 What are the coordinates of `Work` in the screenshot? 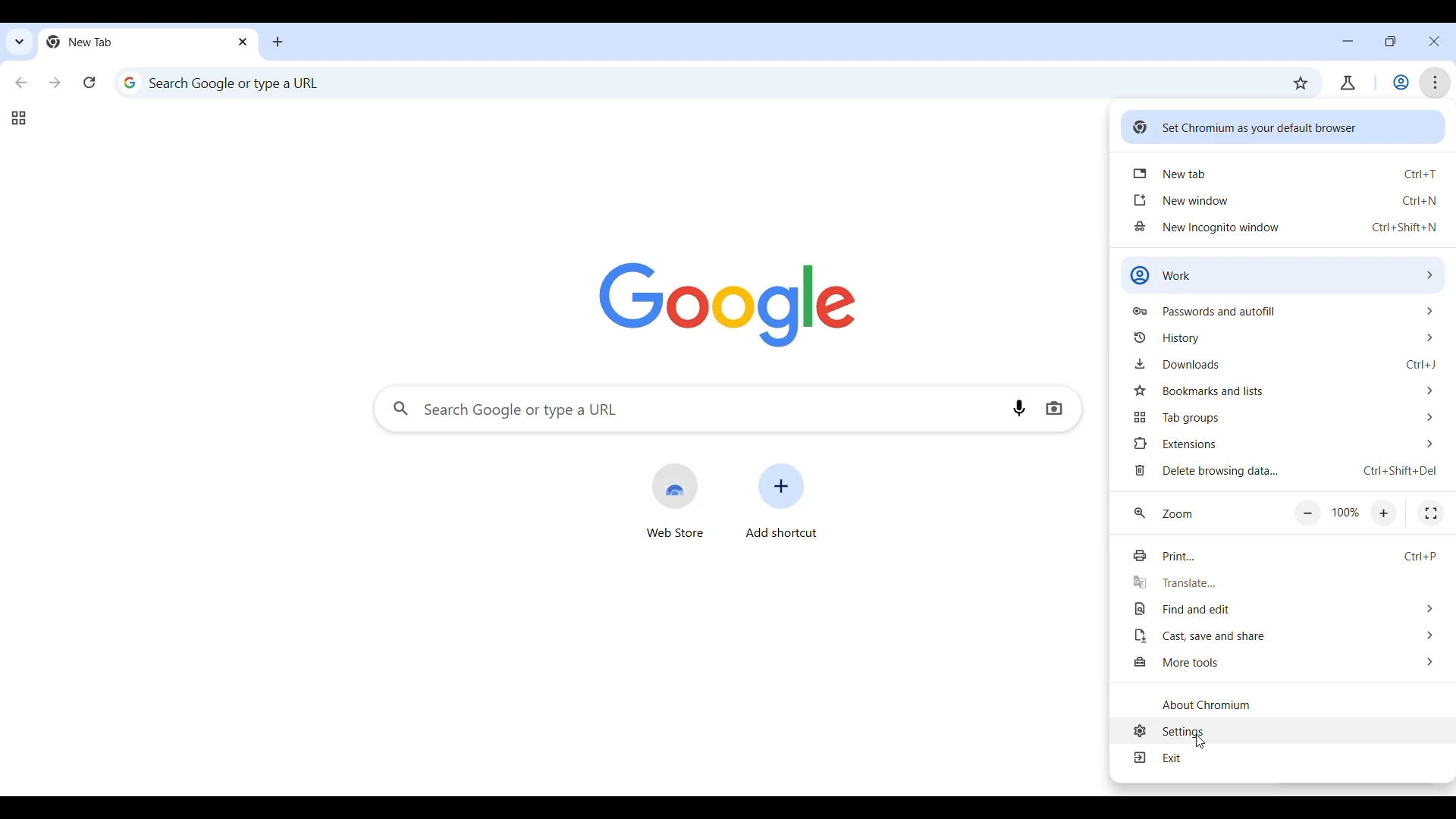 It's located at (1399, 82).